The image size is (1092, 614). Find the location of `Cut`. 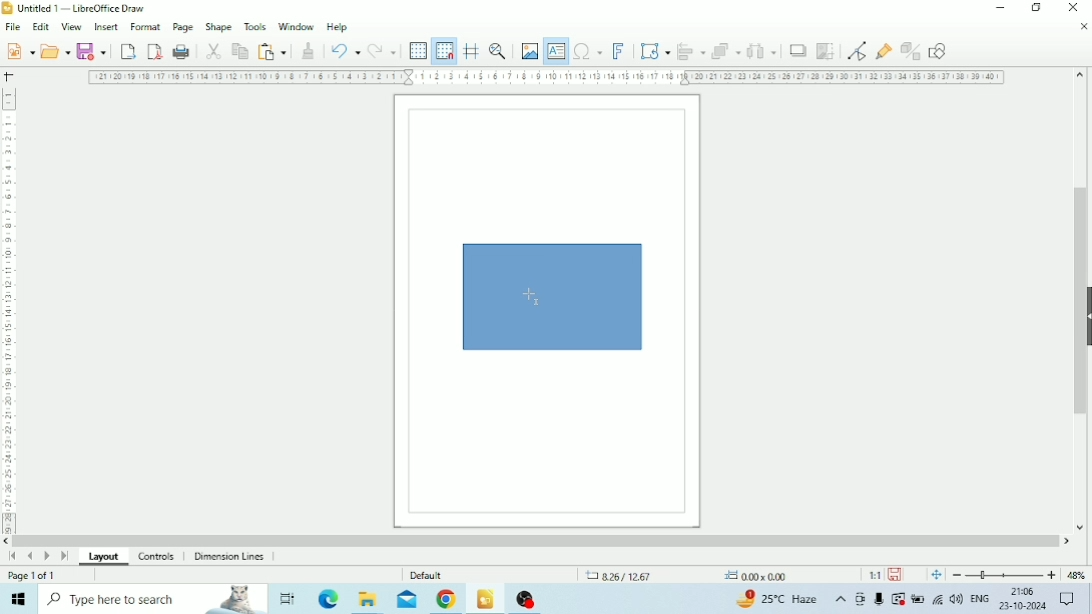

Cut is located at coordinates (214, 51).